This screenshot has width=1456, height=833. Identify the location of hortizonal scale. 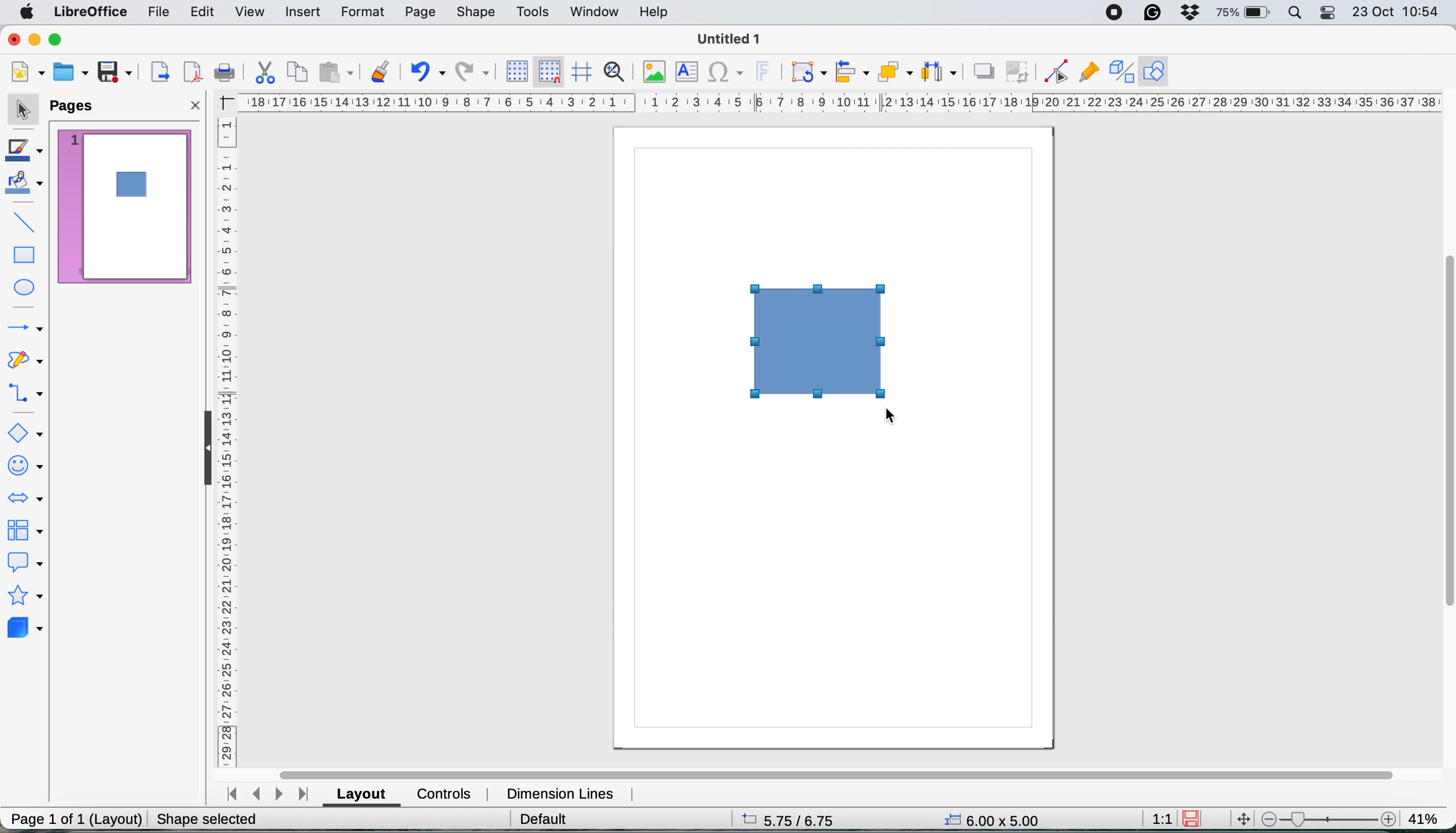
(842, 101).